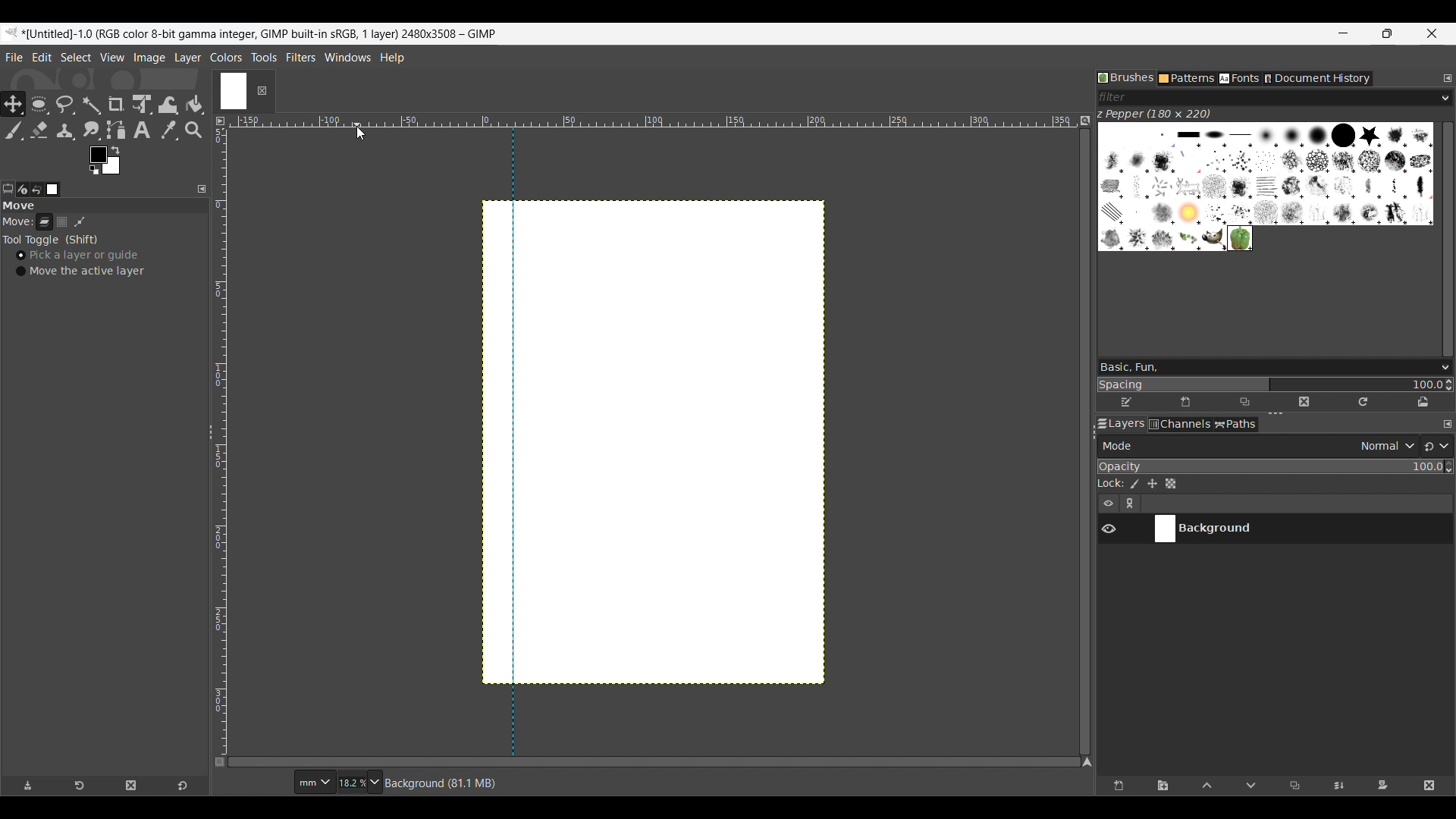 Image resolution: width=1456 pixels, height=819 pixels. What do you see at coordinates (1448, 239) in the screenshot?
I see `Vertical slide bar` at bounding box center [1448, 239].